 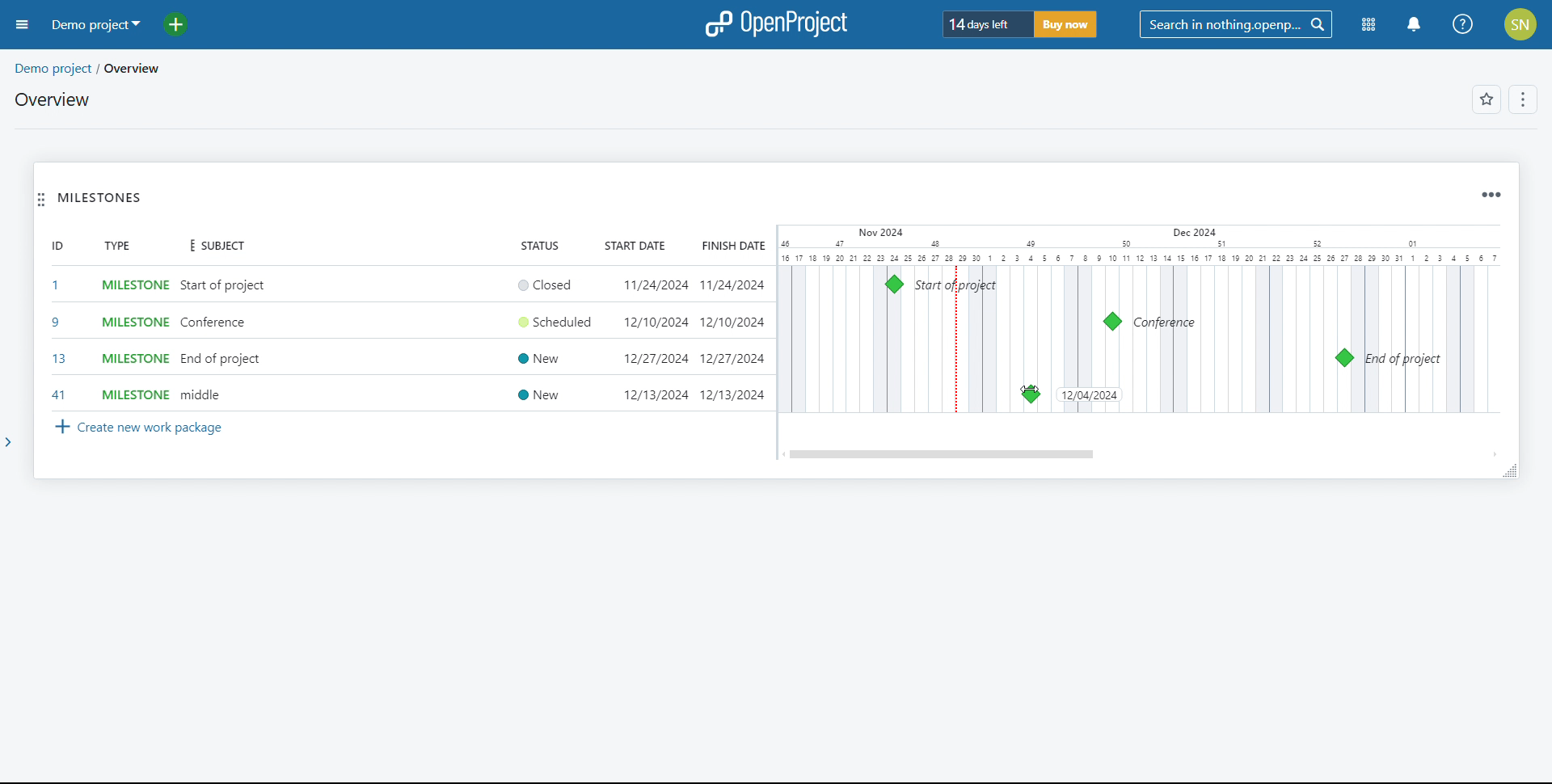 I want to click on subject, so click(x=213, y=247).